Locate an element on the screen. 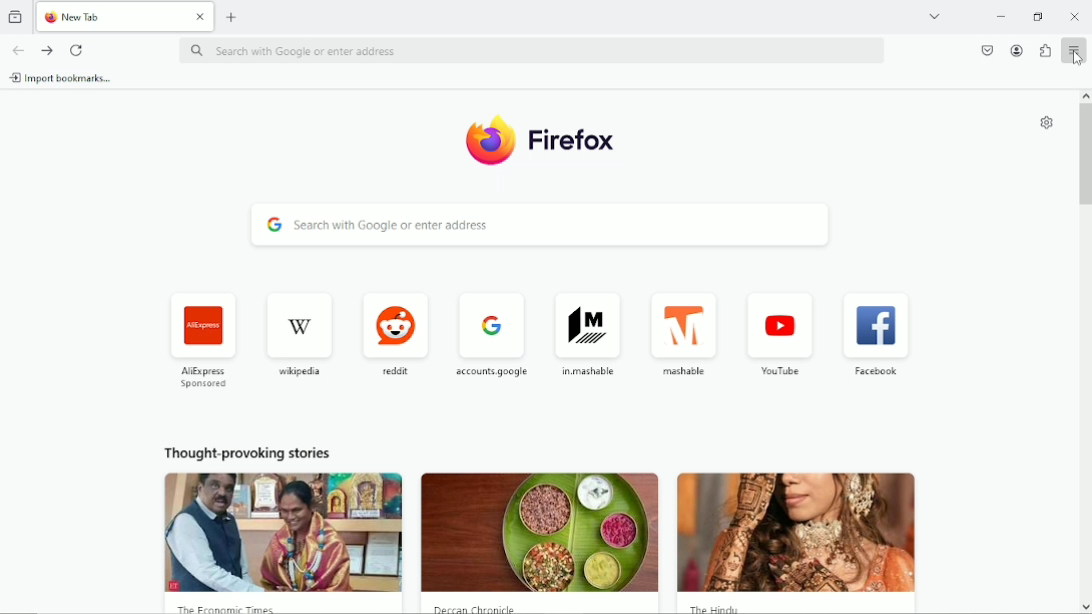 This screenshot has height=614, width=1092. in.mashable is located at coordinates (589, 330).